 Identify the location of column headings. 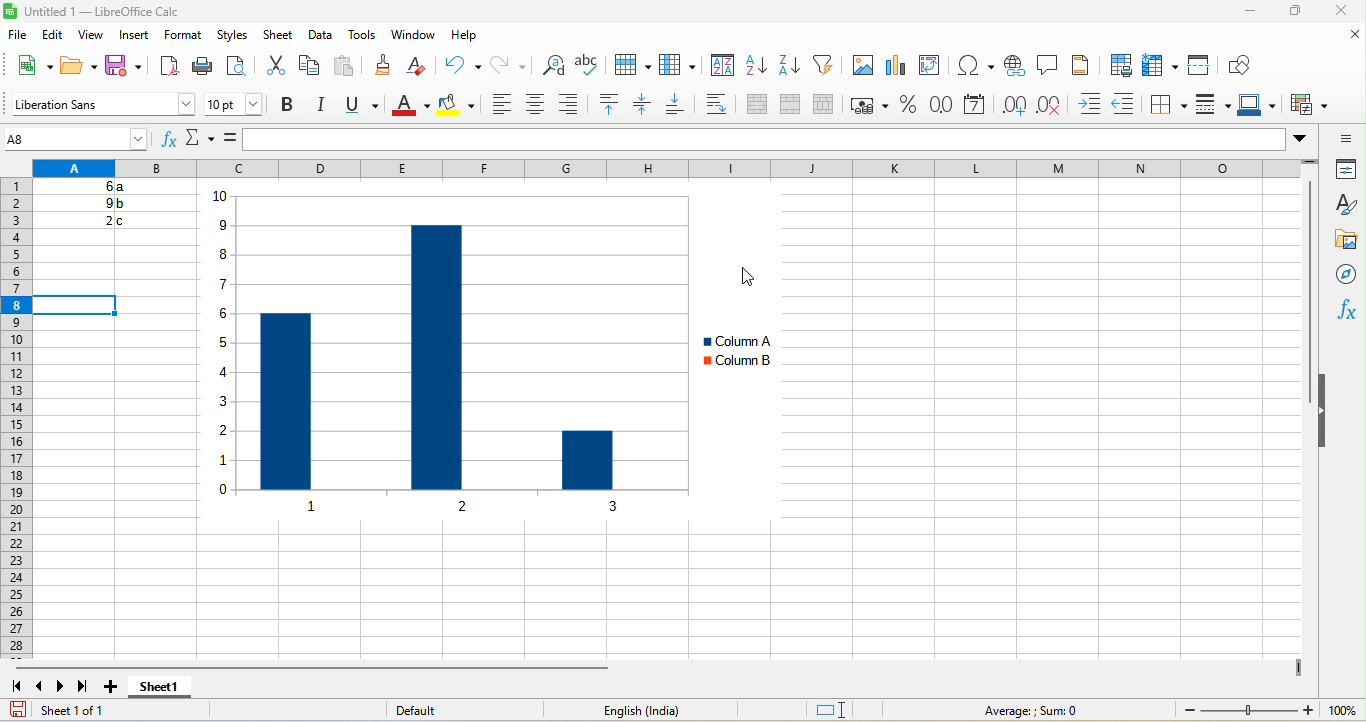
(678, 168).